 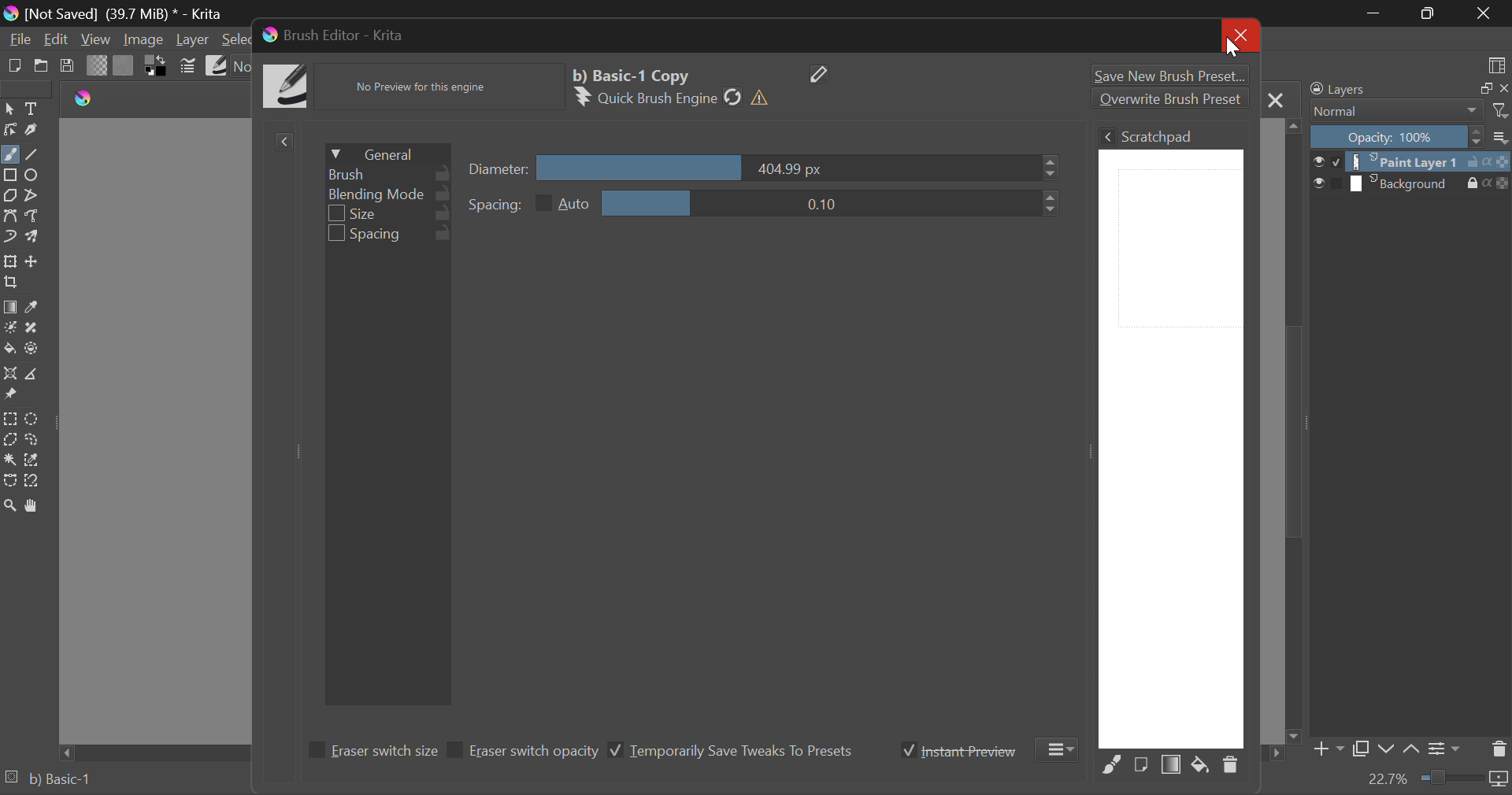 I want to click on Cursor on Brush Settings, so click(x=188, y=66).